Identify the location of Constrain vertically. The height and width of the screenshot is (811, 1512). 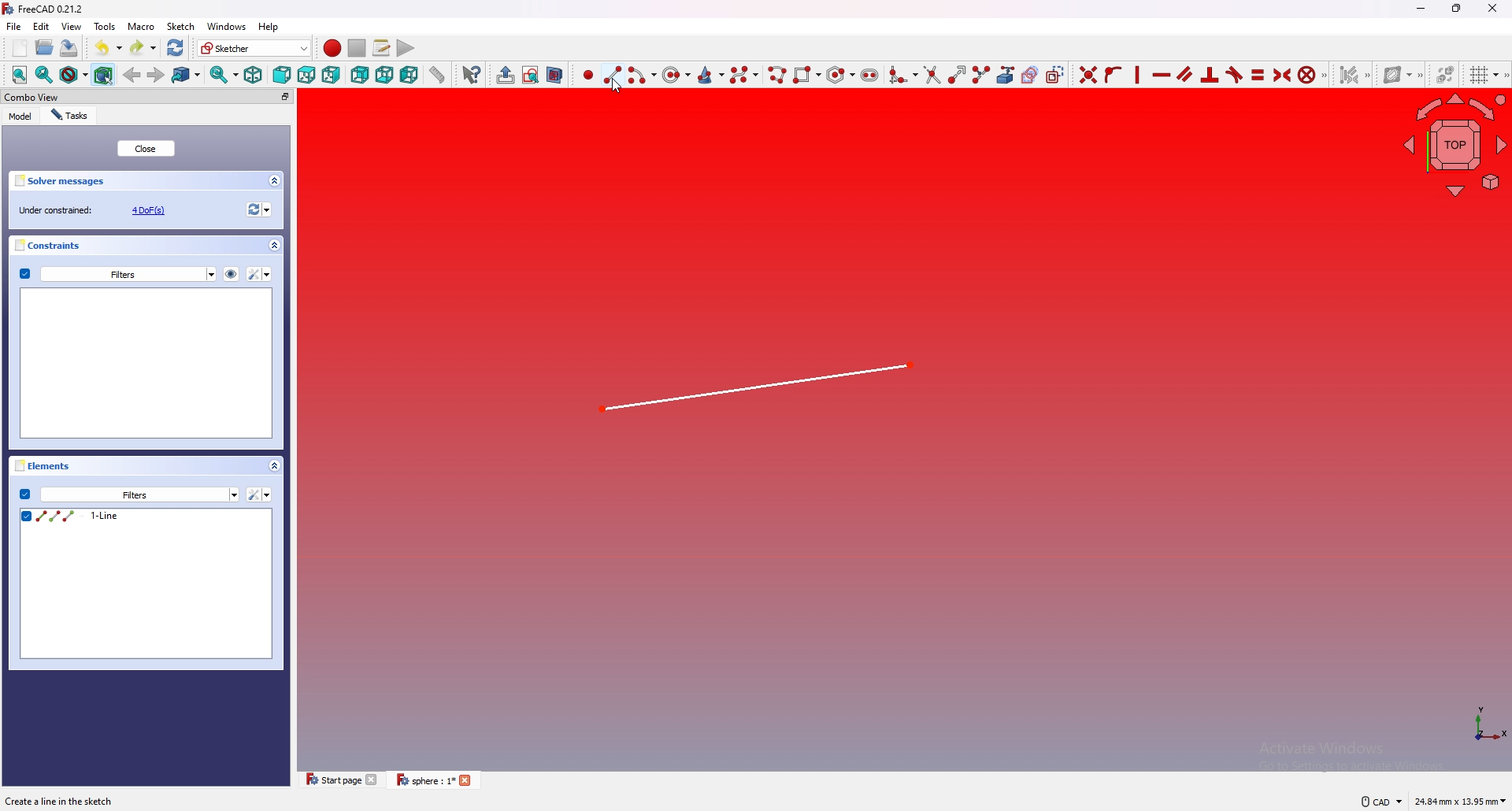
(1136, 75).